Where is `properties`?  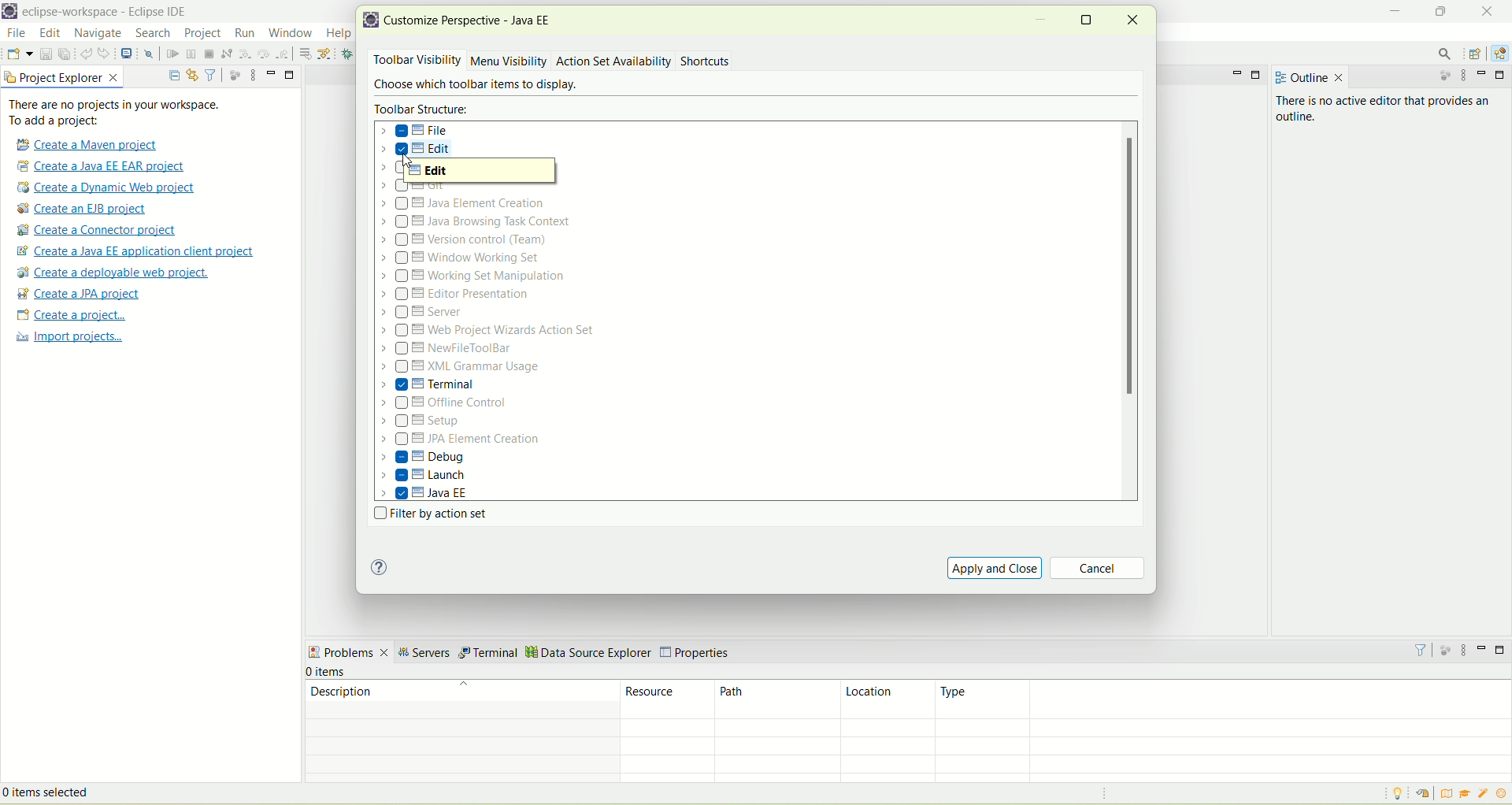
properties is located at coordinates (699, 649).